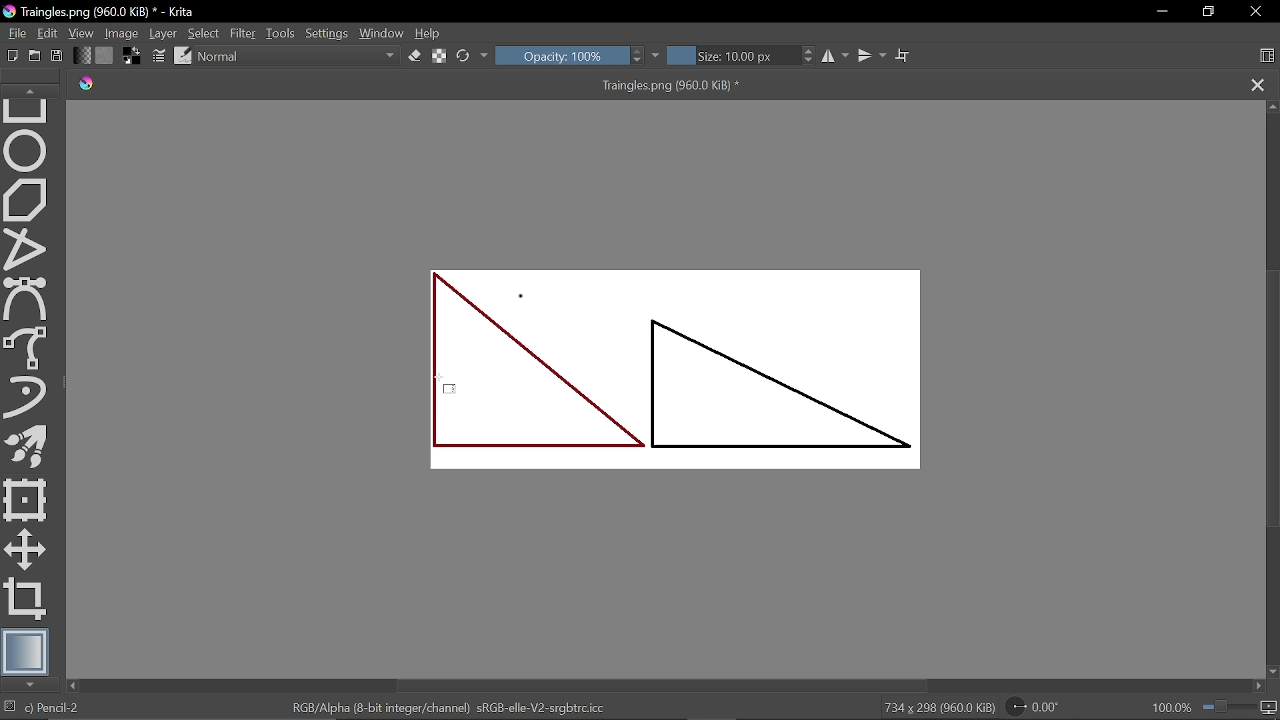 The width and height of the screenshot is (1280, 720). Describe the element at coordinates (282, 33) in the screenshot. I see `Tools` at that location.